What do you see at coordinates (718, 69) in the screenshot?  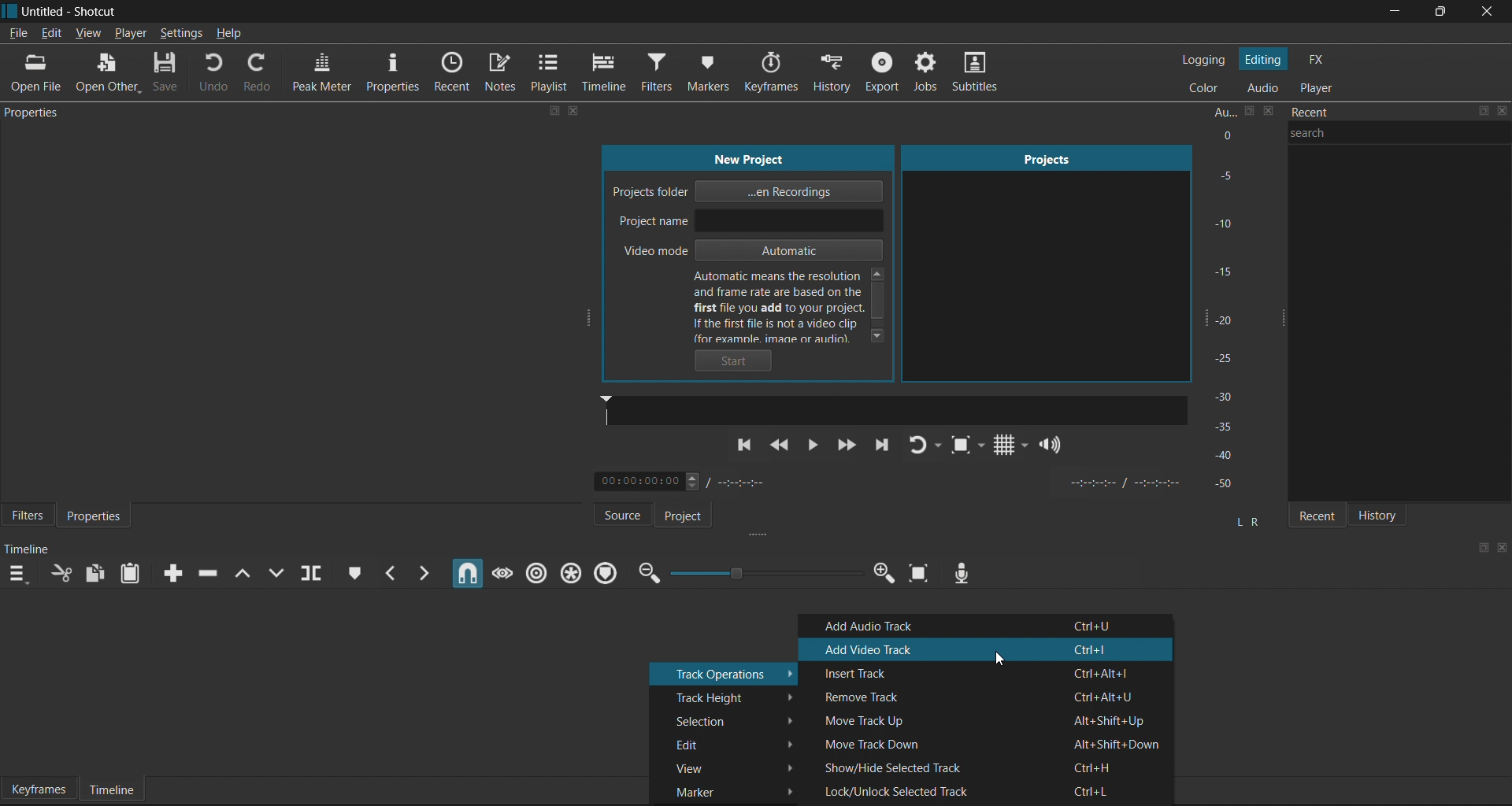 I see `Markers` at bounding box center [718, 69].